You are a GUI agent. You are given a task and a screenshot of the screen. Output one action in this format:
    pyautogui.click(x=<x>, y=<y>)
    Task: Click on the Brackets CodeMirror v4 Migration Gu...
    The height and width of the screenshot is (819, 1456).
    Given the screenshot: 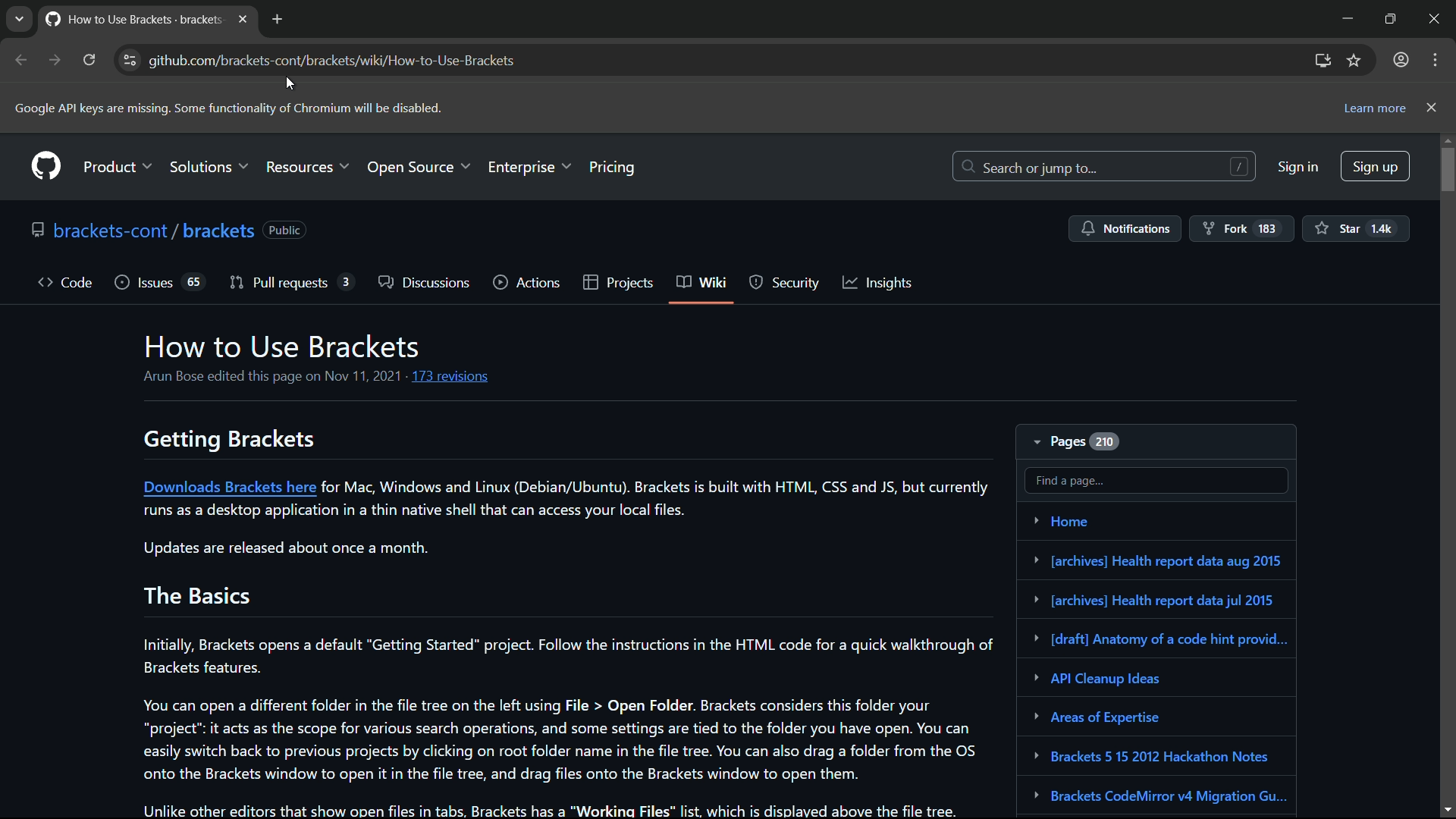 What is the action you would take?
    pyautogui.click(x=1161, y=794)
    